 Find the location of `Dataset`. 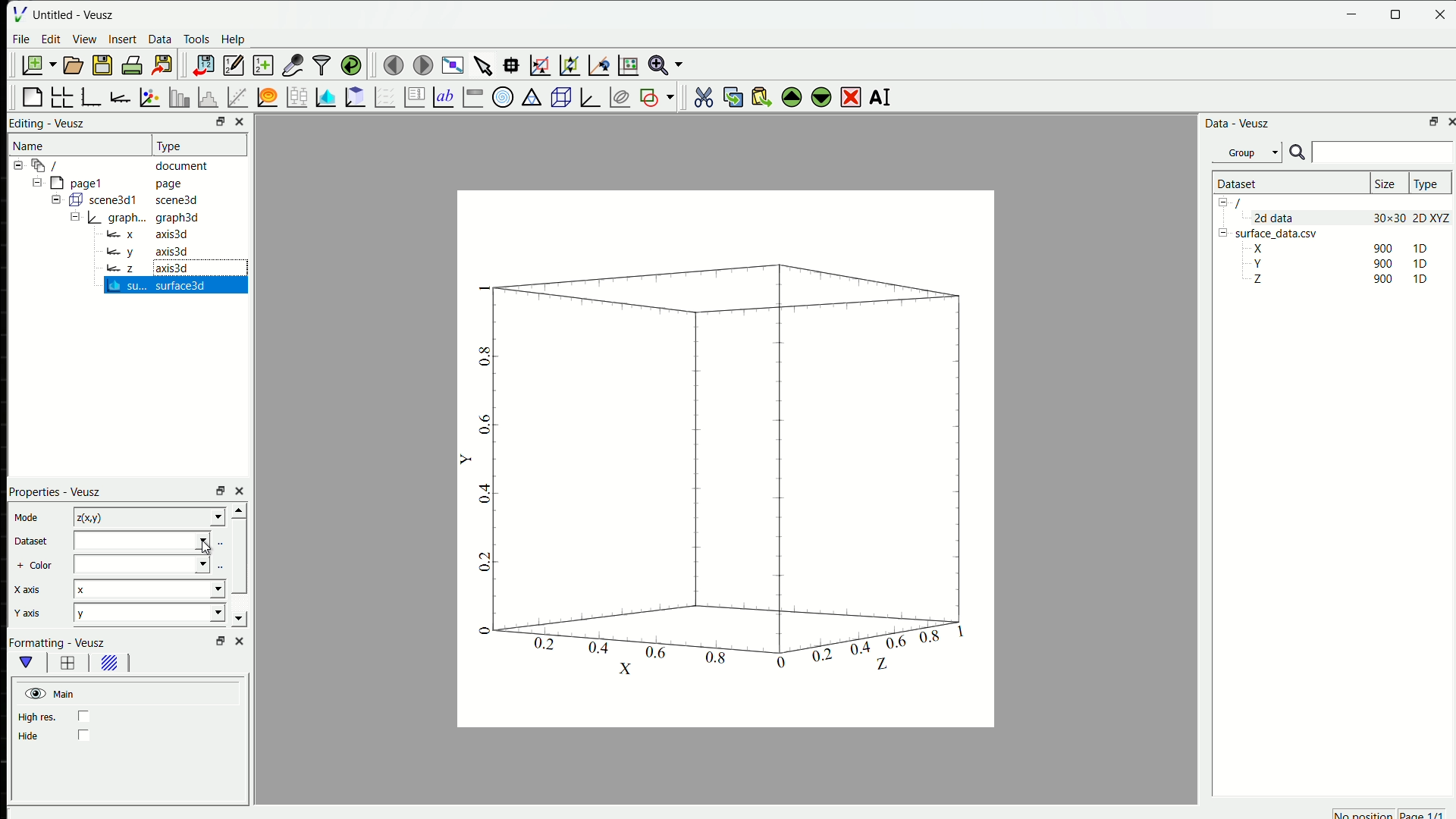

Dataset is located at coordinates (32, 542).